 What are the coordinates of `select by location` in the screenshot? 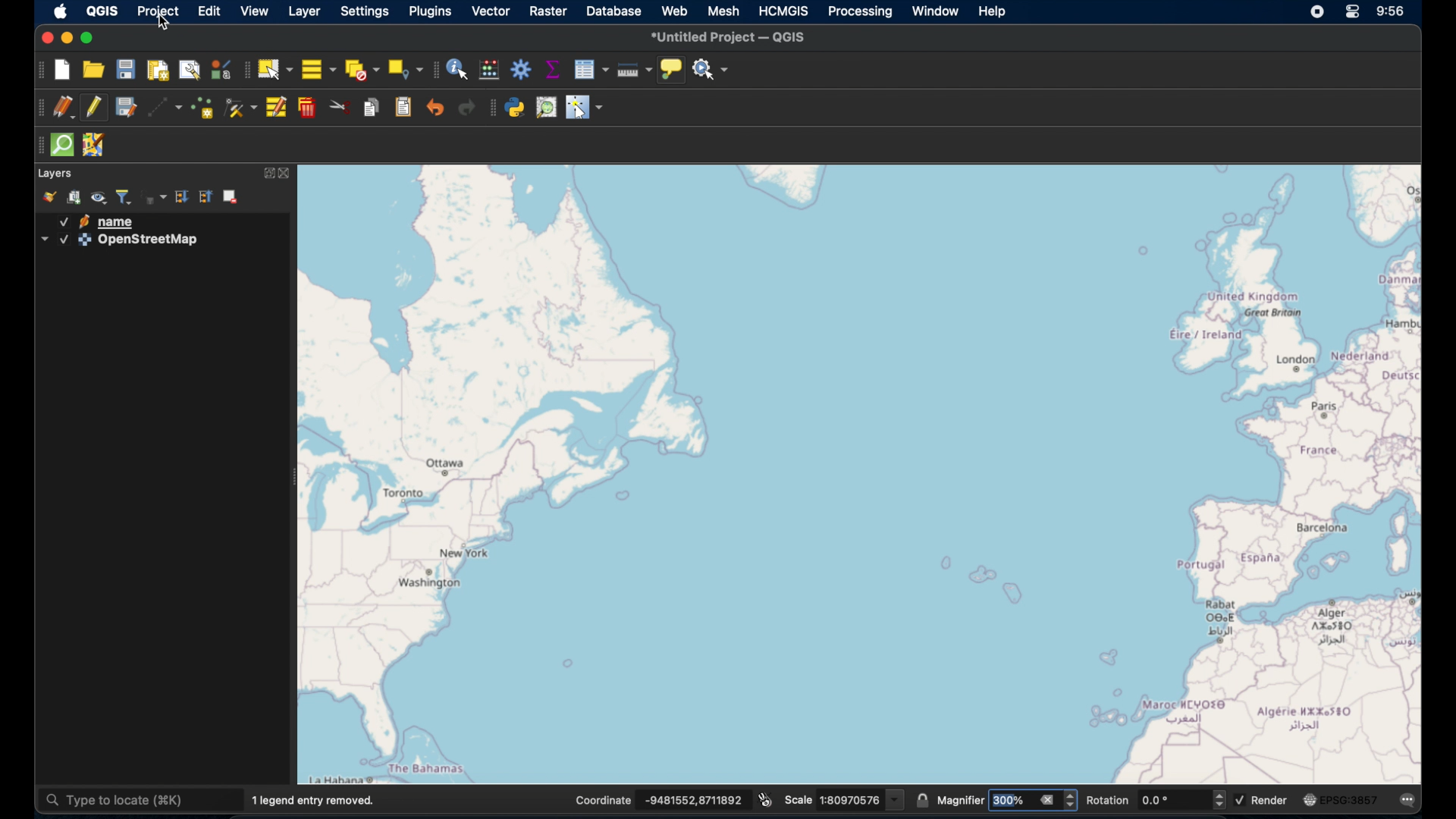 It's located at (405, 70).